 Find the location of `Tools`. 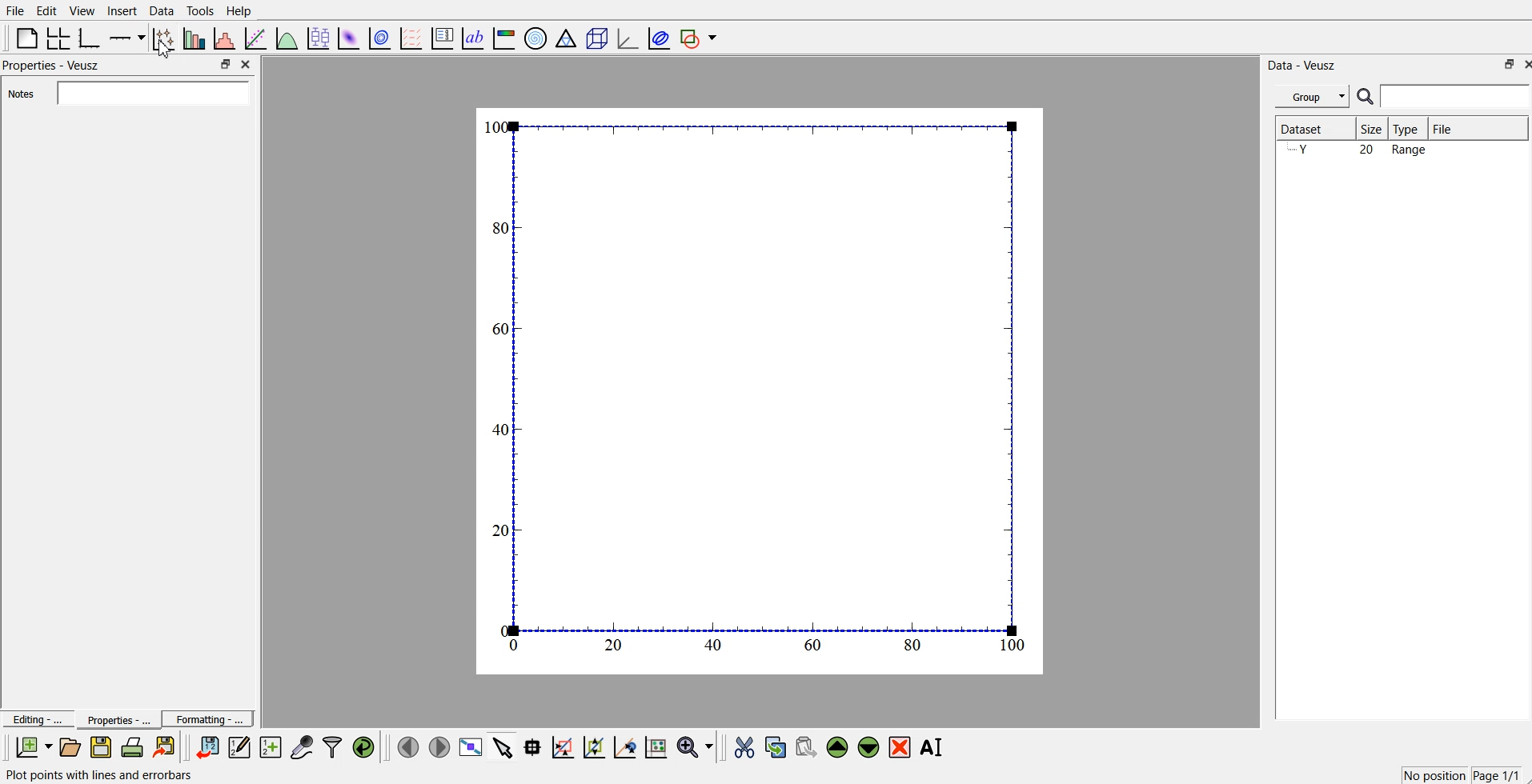

Tools is located at coordinates (200, 11).